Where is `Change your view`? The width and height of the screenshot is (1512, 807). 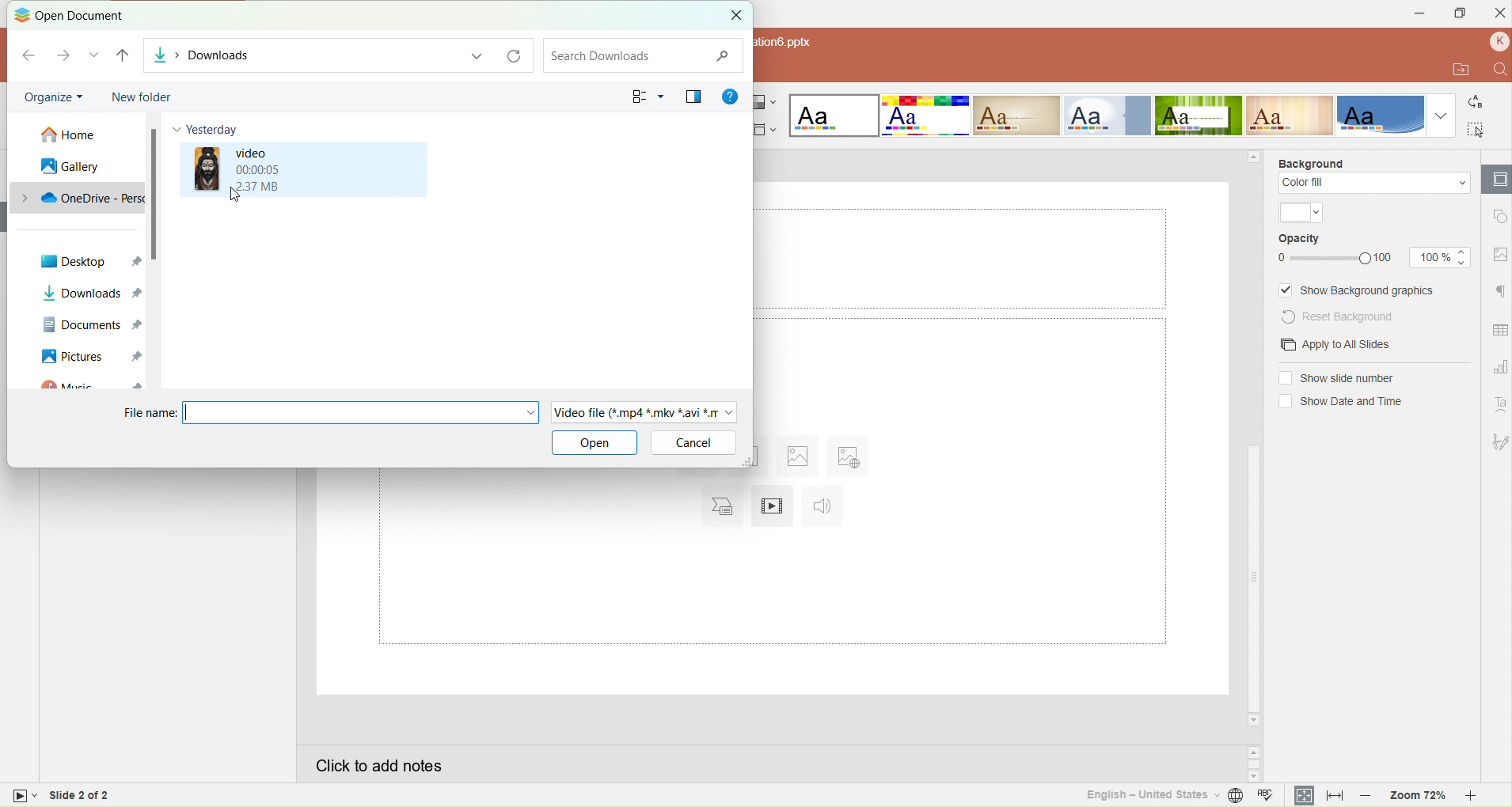
Change your view is located at coordinates (647, 95).